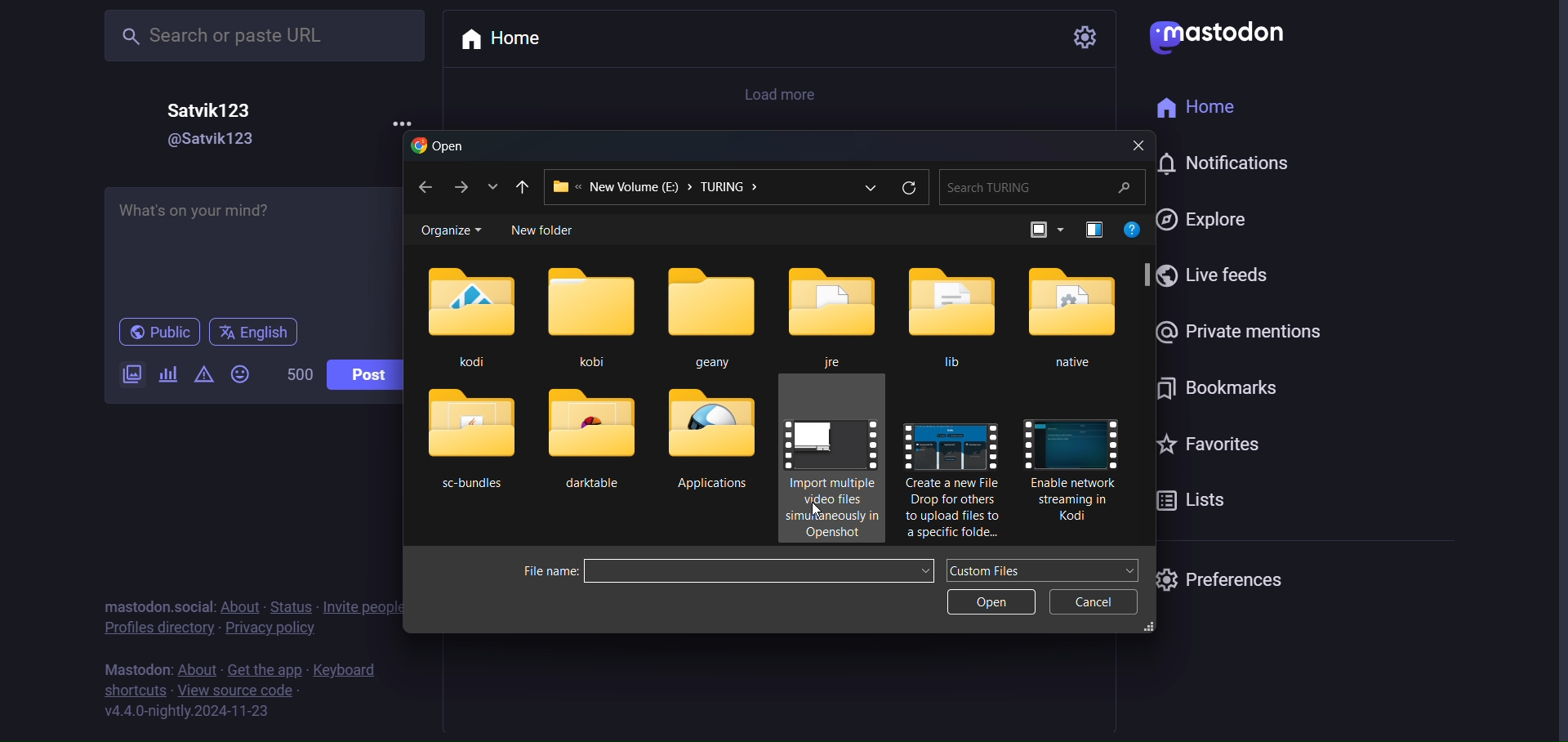 This screenshot has height=742, width=1568. What do you see at coordinates (950, 477) in the screenshot?
I see `Create a new File
Drop for others
to upload files to
a specific folde...` at bounding box center [950, 477].